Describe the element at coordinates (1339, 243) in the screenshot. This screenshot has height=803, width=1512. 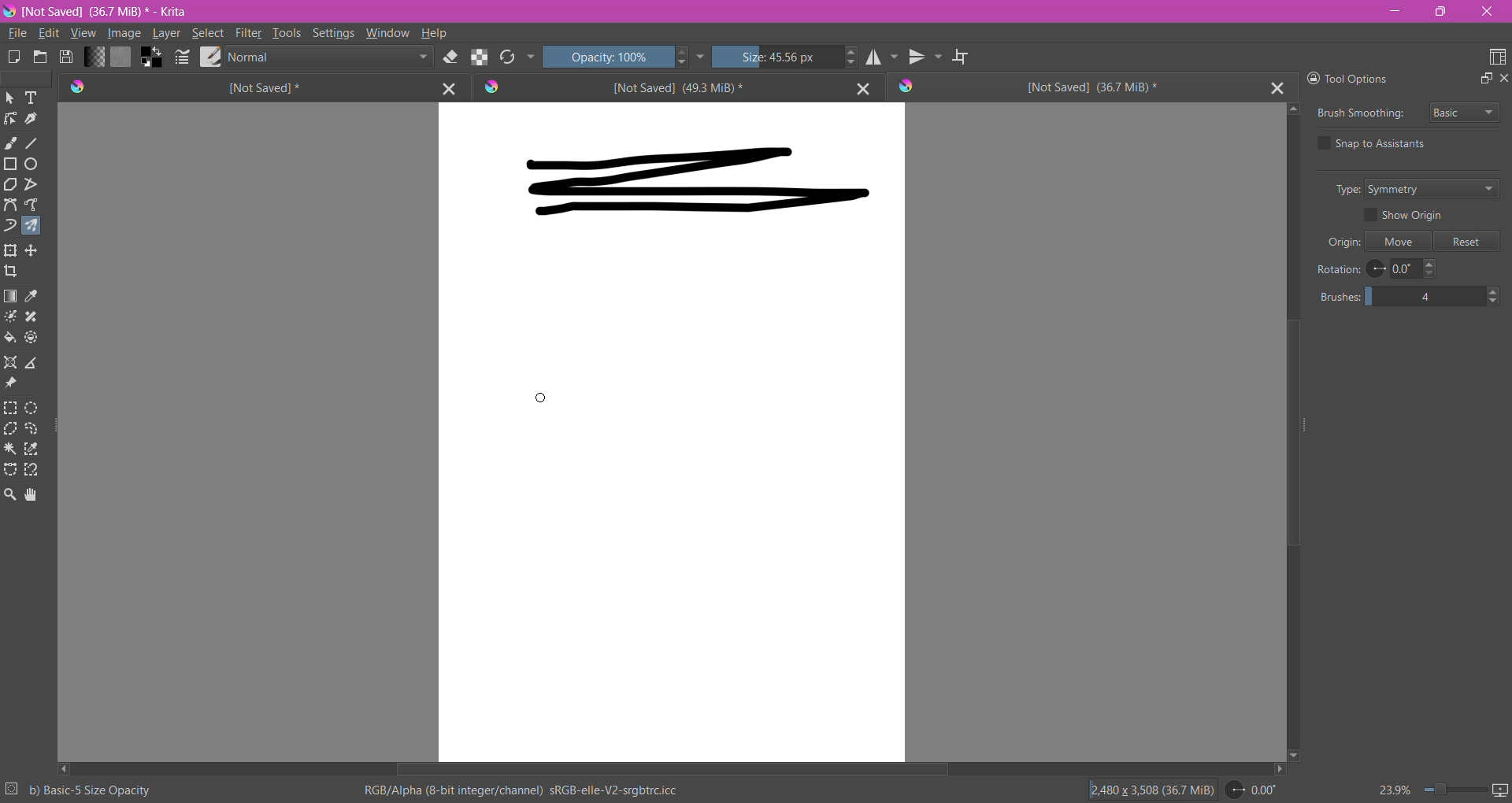
I see `Origin` at that location.